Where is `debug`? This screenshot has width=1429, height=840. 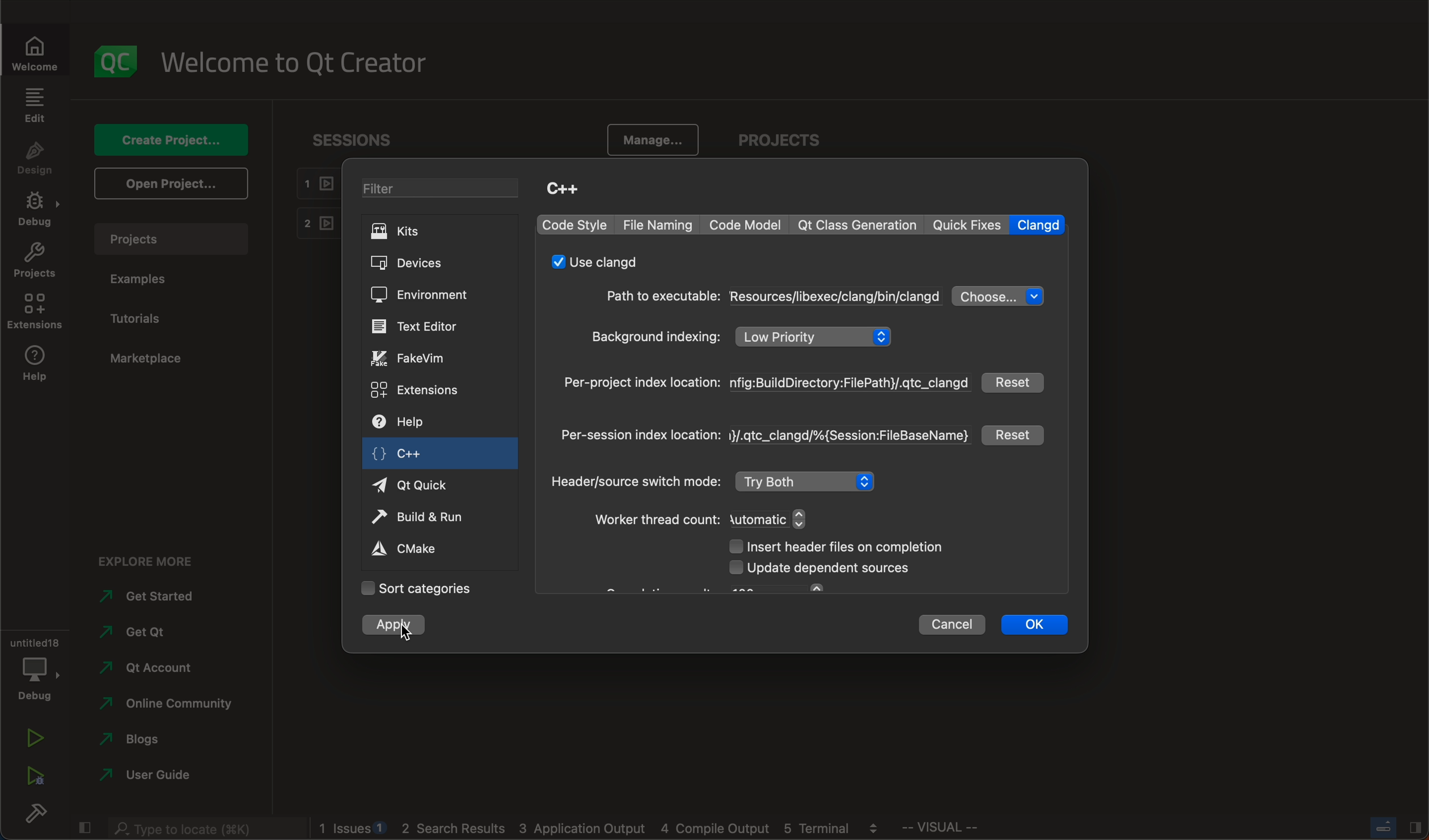 debug is located at coordinates (37, 208).